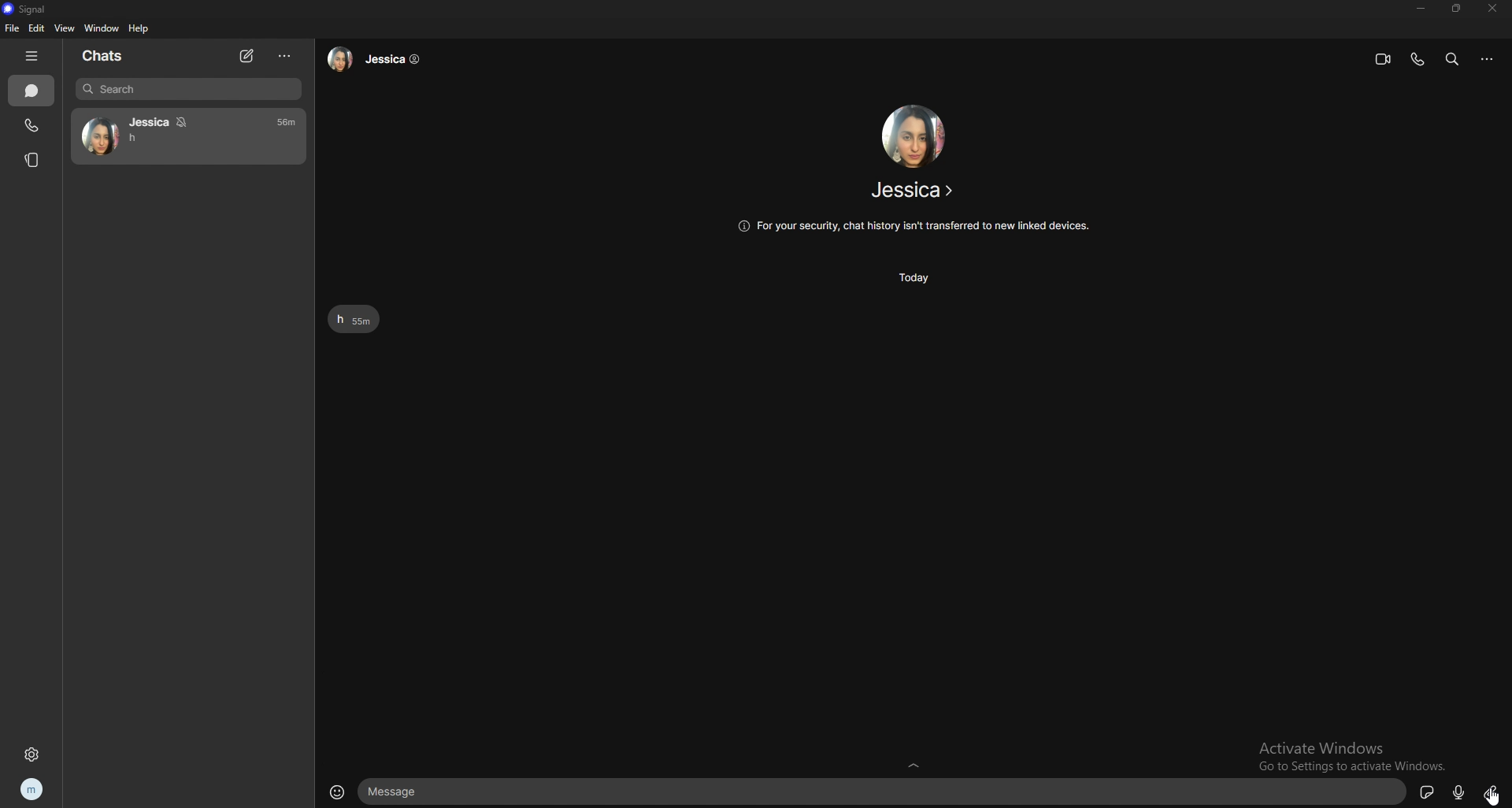 This screenshot has height=808, width=1512. What do you see at coordinates (1426, 792) in the screenshot?
I see `sticker` at bounding box center [1426, 792].